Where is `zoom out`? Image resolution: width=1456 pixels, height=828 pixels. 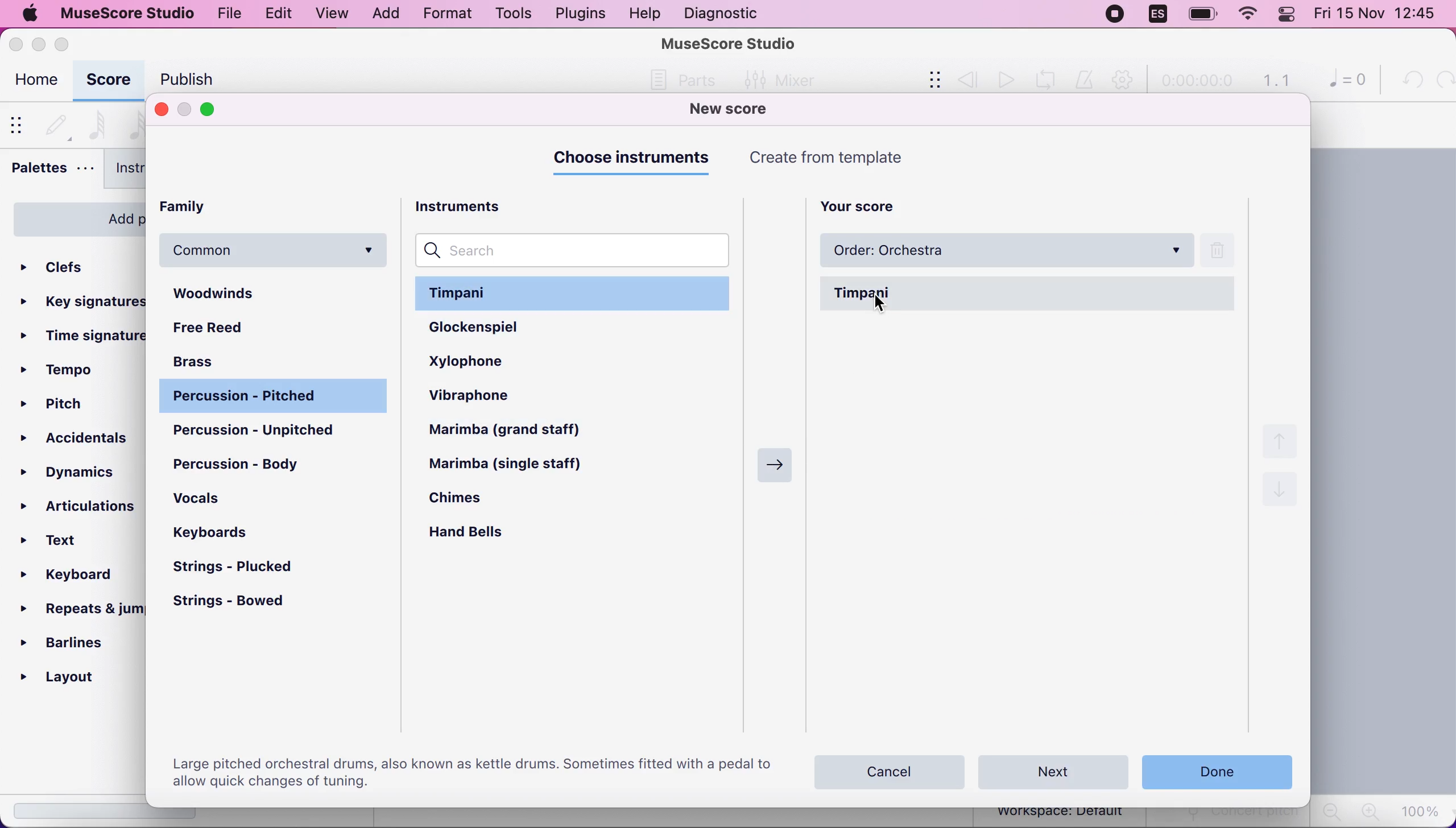 zoom out is located at coordinates (1330, 812).